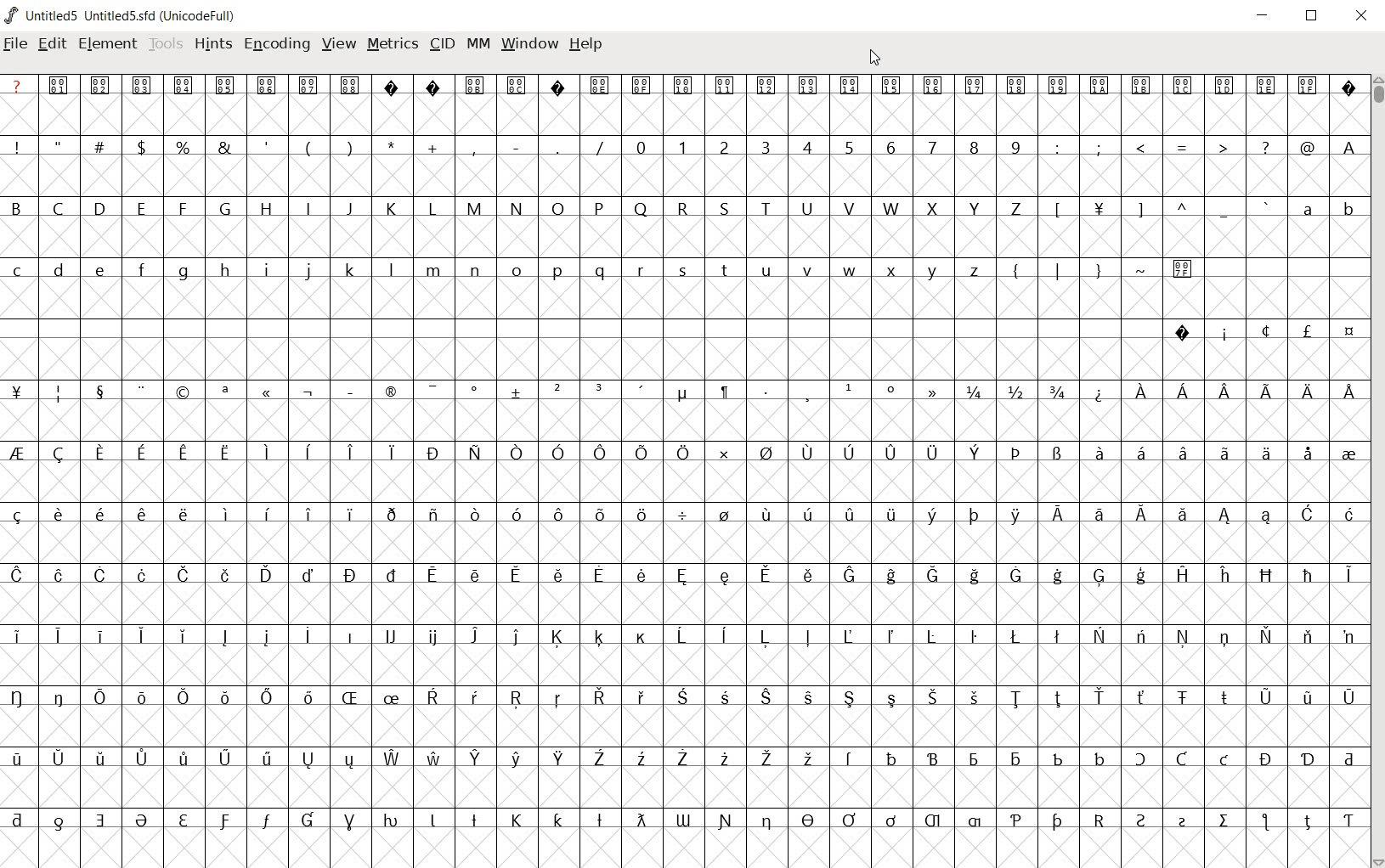  What do you see at coordinates (267, 394) in the screenshot?
I see `Symbol` at bounding box center [267, 394].